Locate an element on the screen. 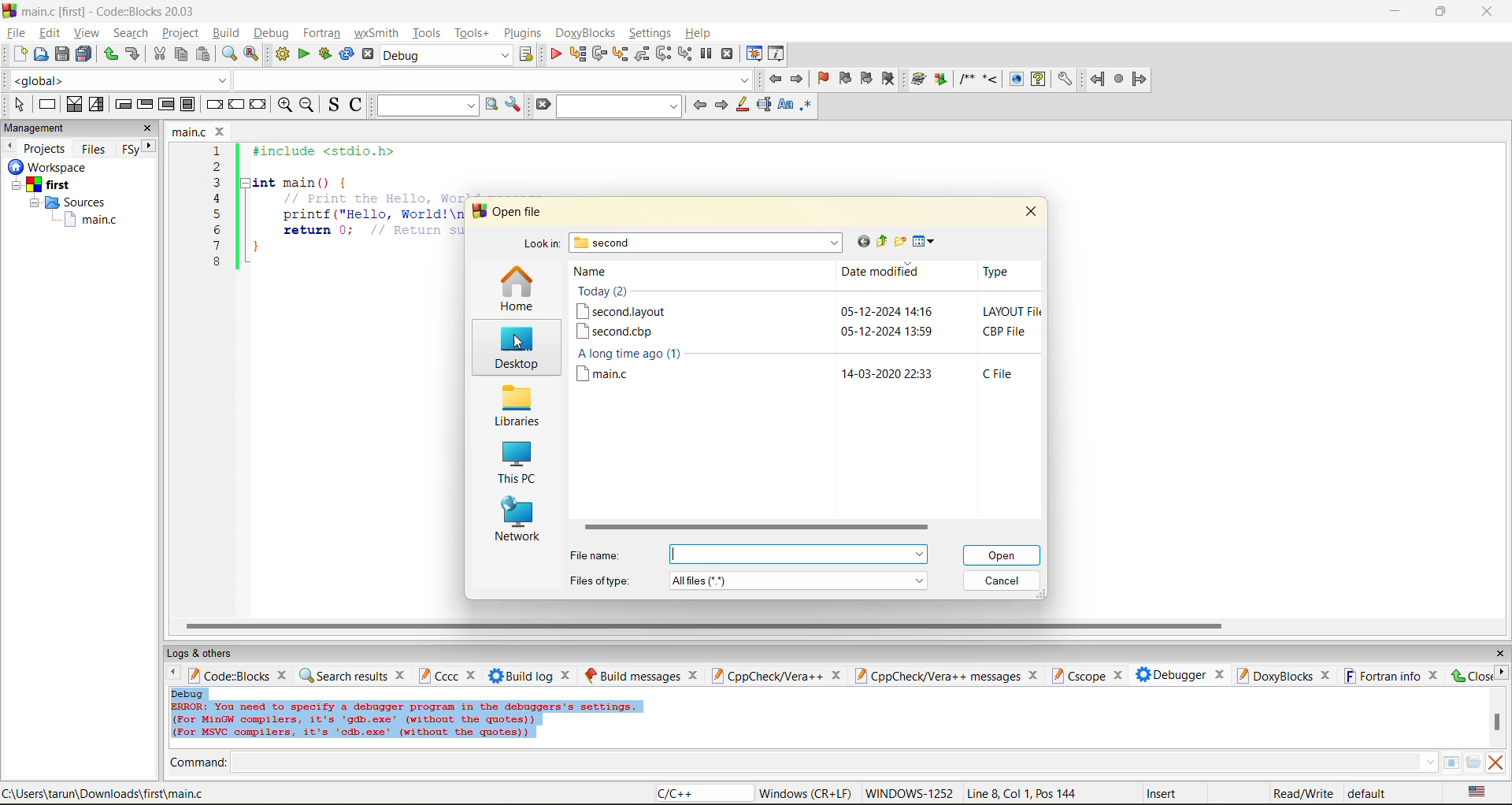  block instruction is located at coordinates (188, 105).